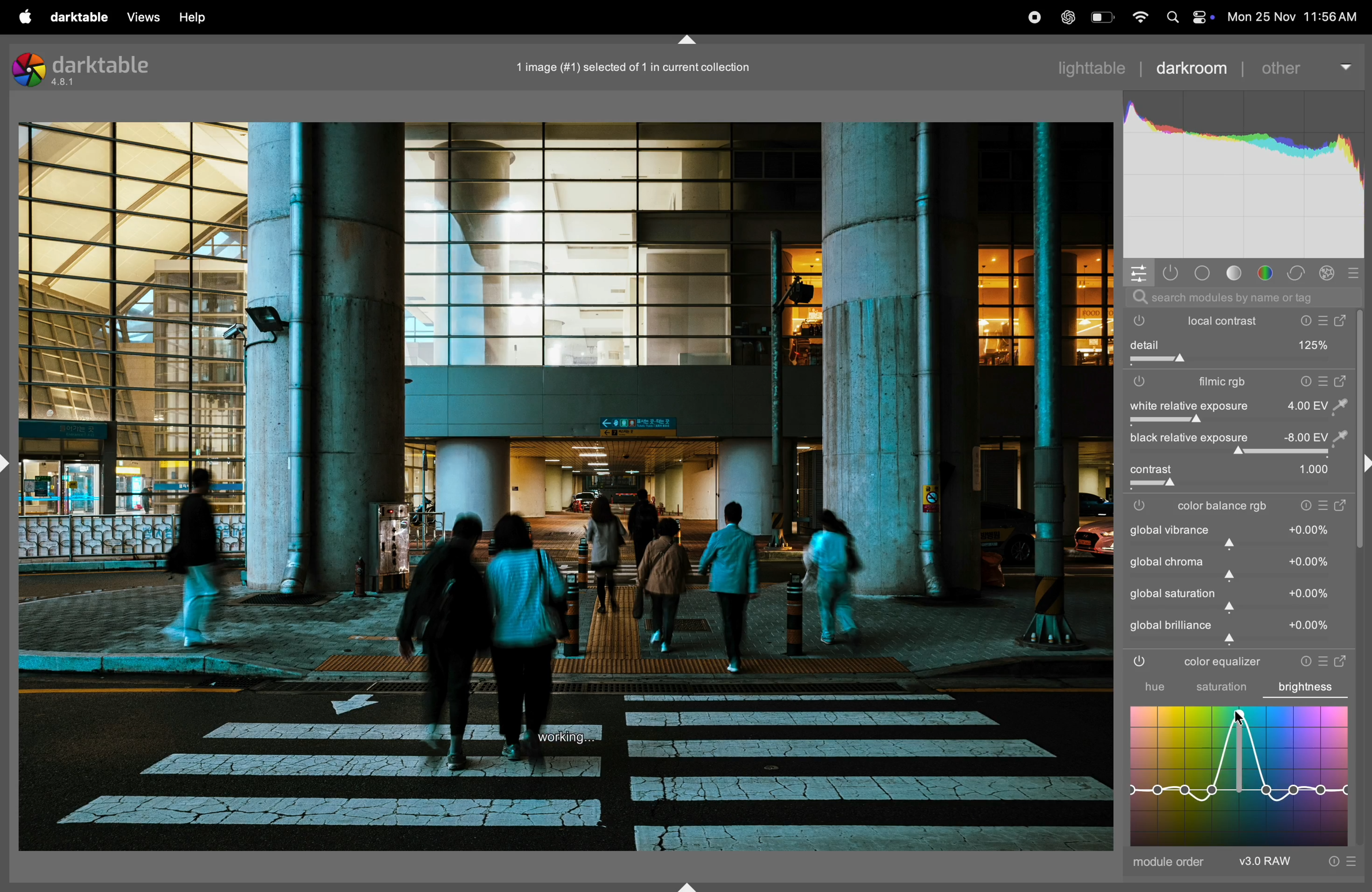  I want to click on color, so click(1268, 273).